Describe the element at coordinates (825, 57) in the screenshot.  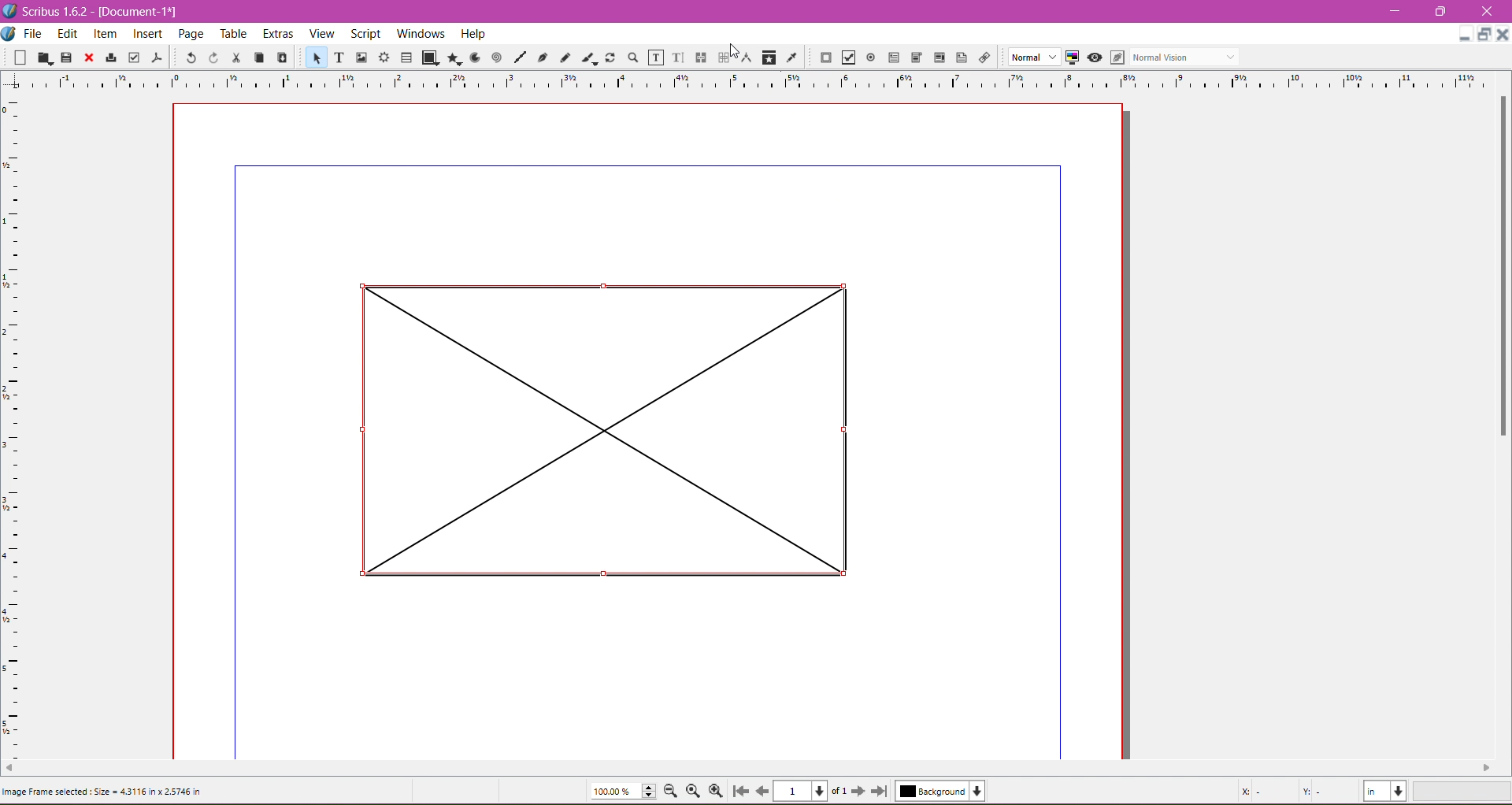
I see `PDF Push Button` at that location.